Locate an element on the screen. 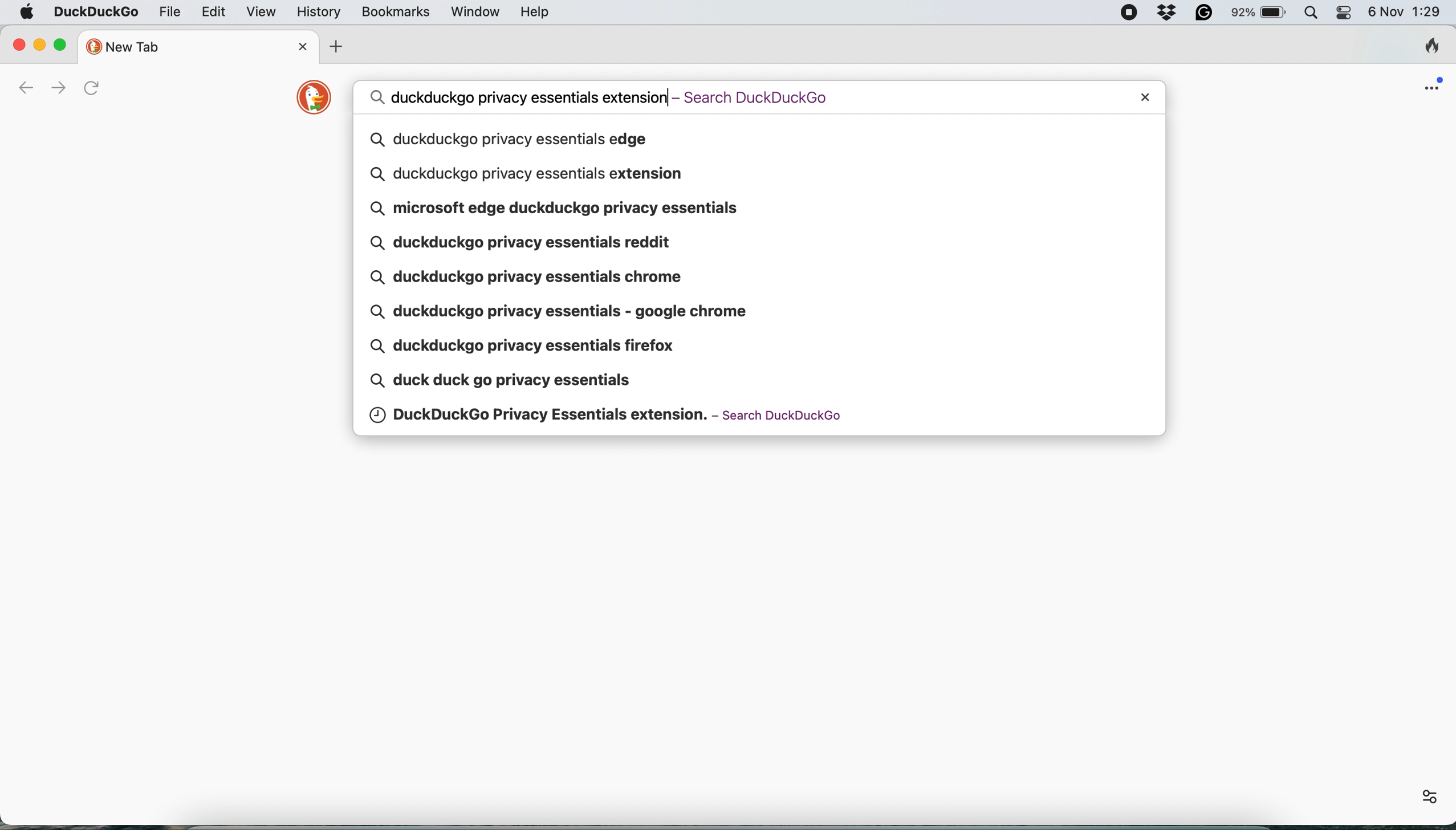 This screenshot has height=830, width=1456. refresh is located at coordinates (104, 91).